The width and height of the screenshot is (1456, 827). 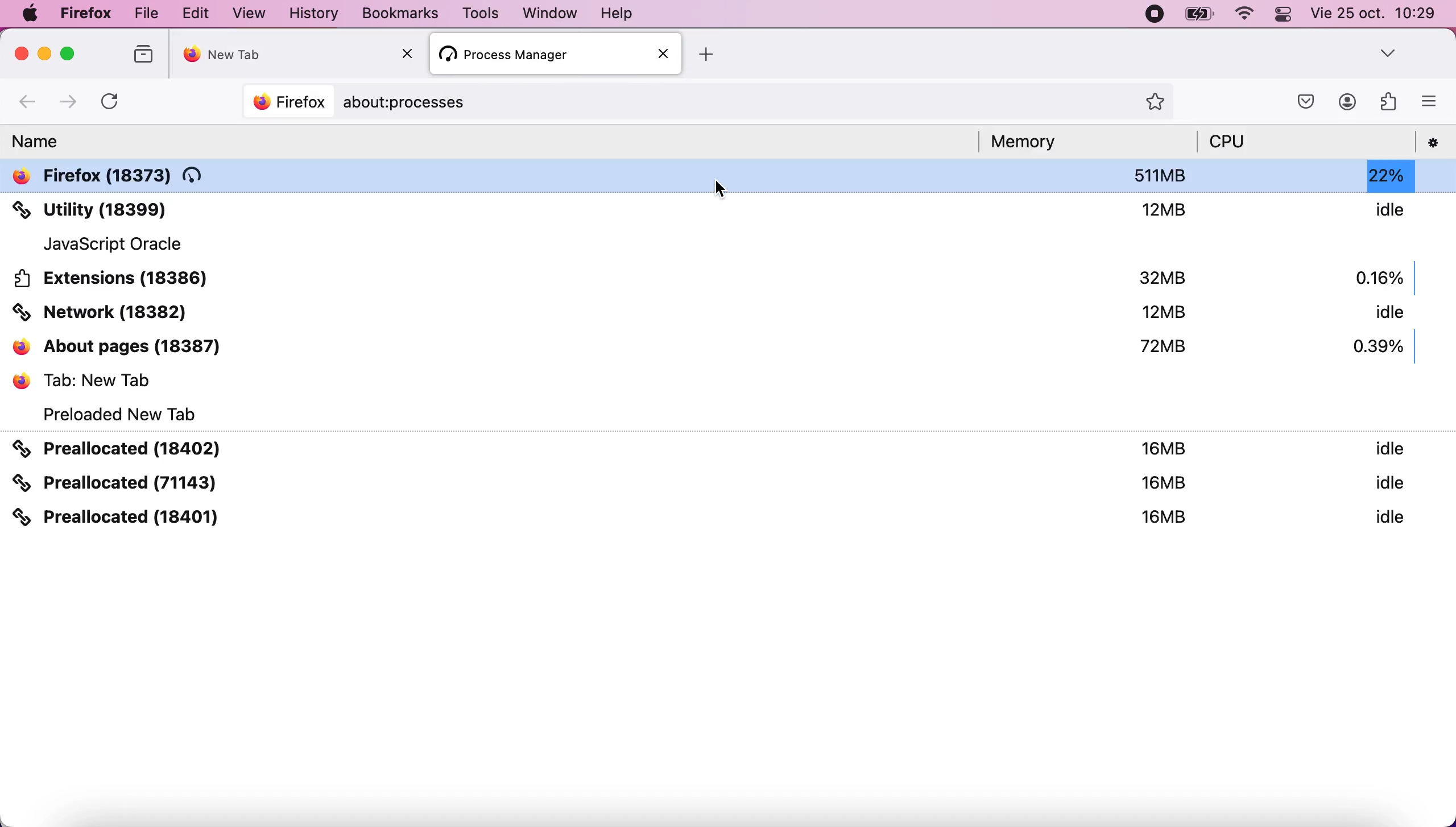 What do you see at coordinates (1199, 14) in the screenshot?
I see `Battery` at bounding box center [1199, 14].